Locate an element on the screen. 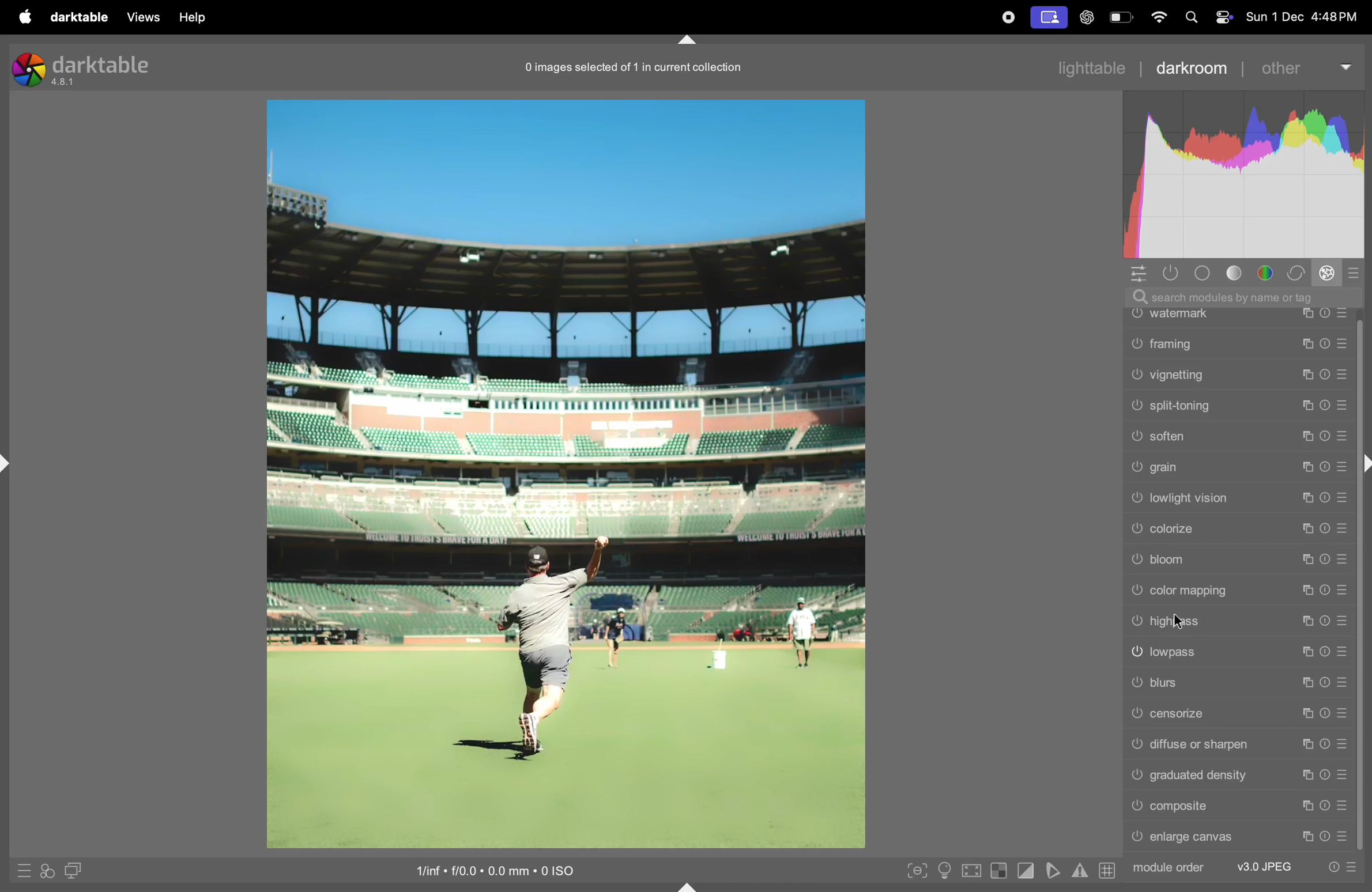 This screenshot has height=892, width=1372. histogram is located at coordinates (1249, 179).